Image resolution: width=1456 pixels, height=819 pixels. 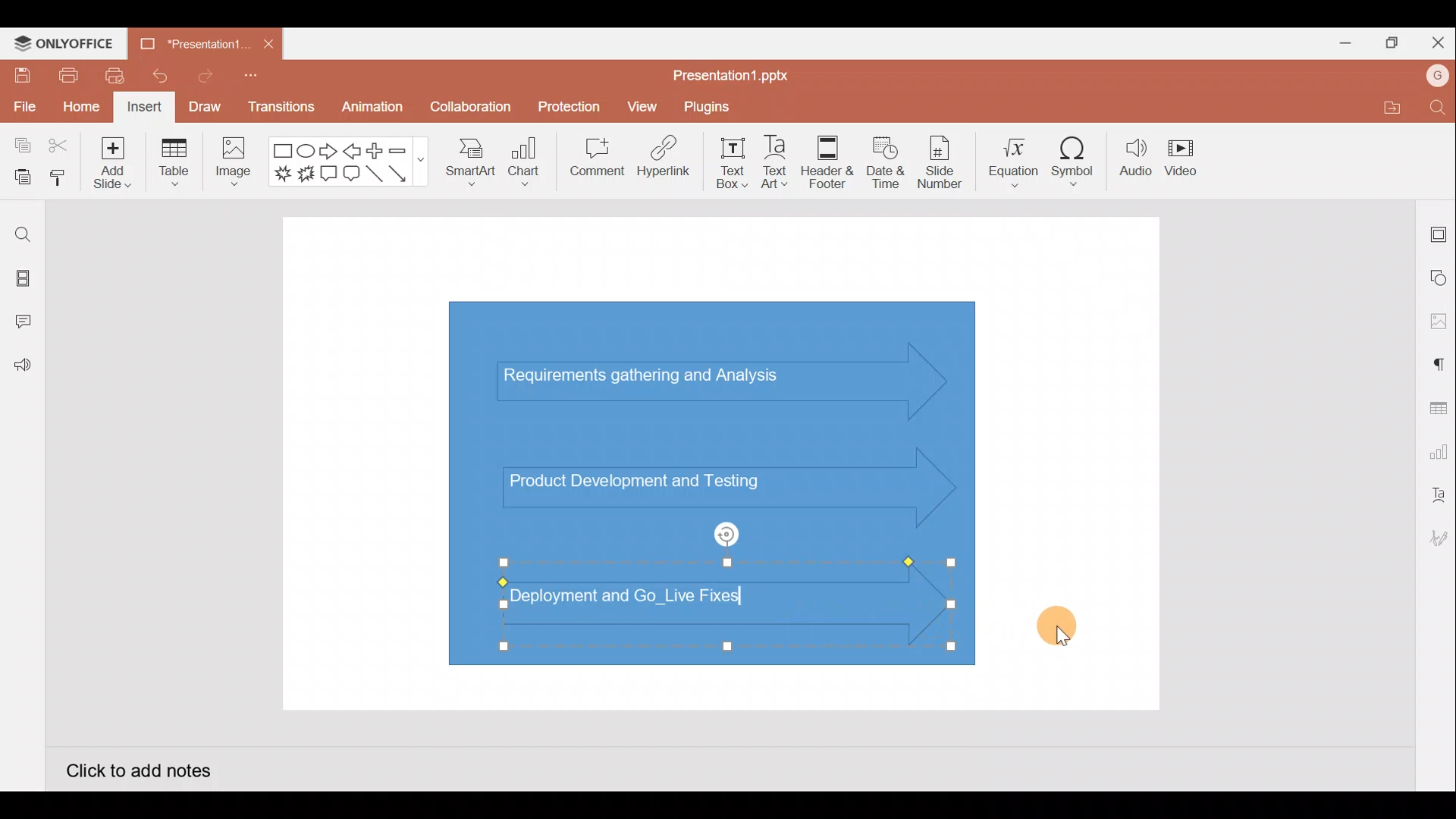 What do you see at coordinates (329, 174) in the screenshot?
I see `Rectangular callout` at bounding box center [329, 174].